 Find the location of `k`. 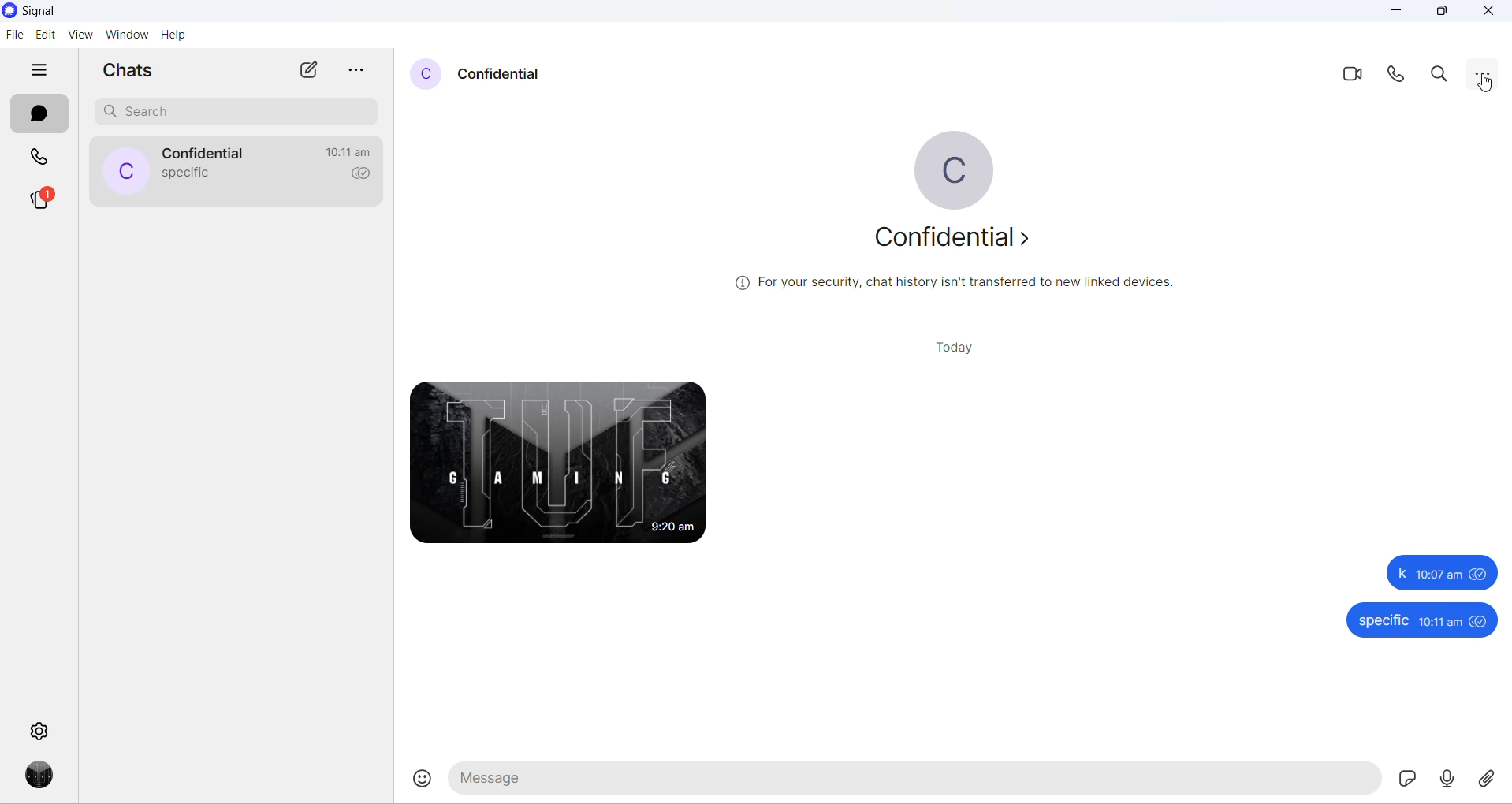

k is located at coordinates (1402, 574).